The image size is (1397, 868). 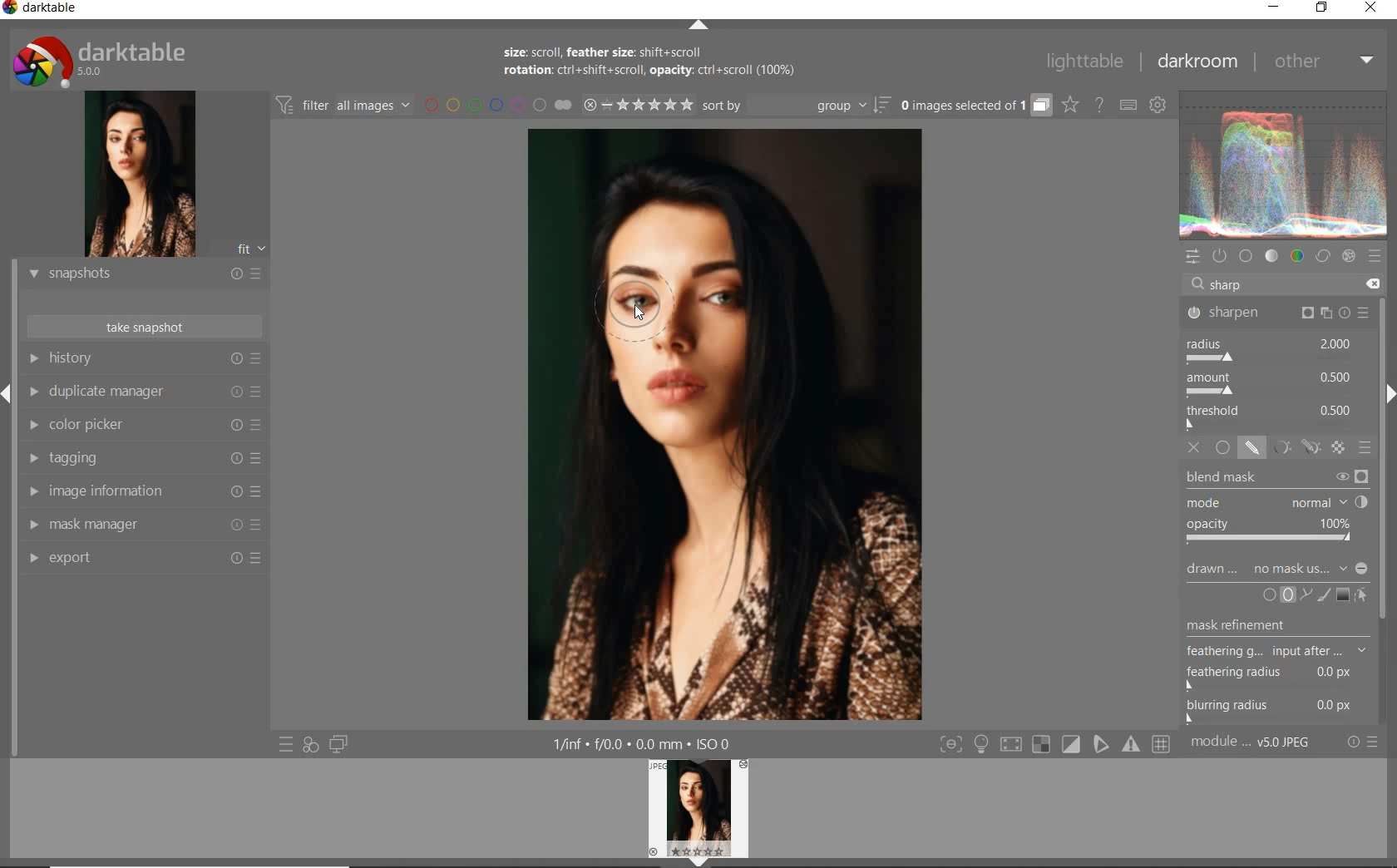 I want to click on take snapshot, so click(x=143, y=328).